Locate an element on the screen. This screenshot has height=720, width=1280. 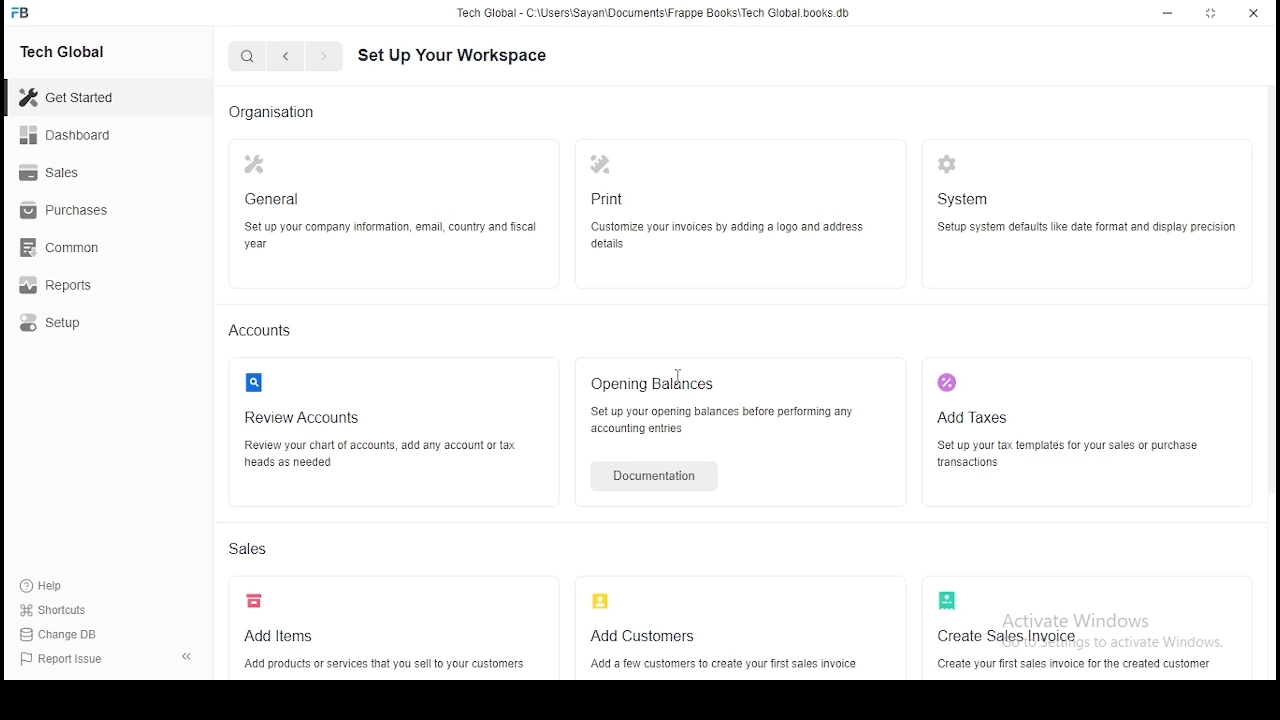
Reports  is located at coordinates (82, 288).